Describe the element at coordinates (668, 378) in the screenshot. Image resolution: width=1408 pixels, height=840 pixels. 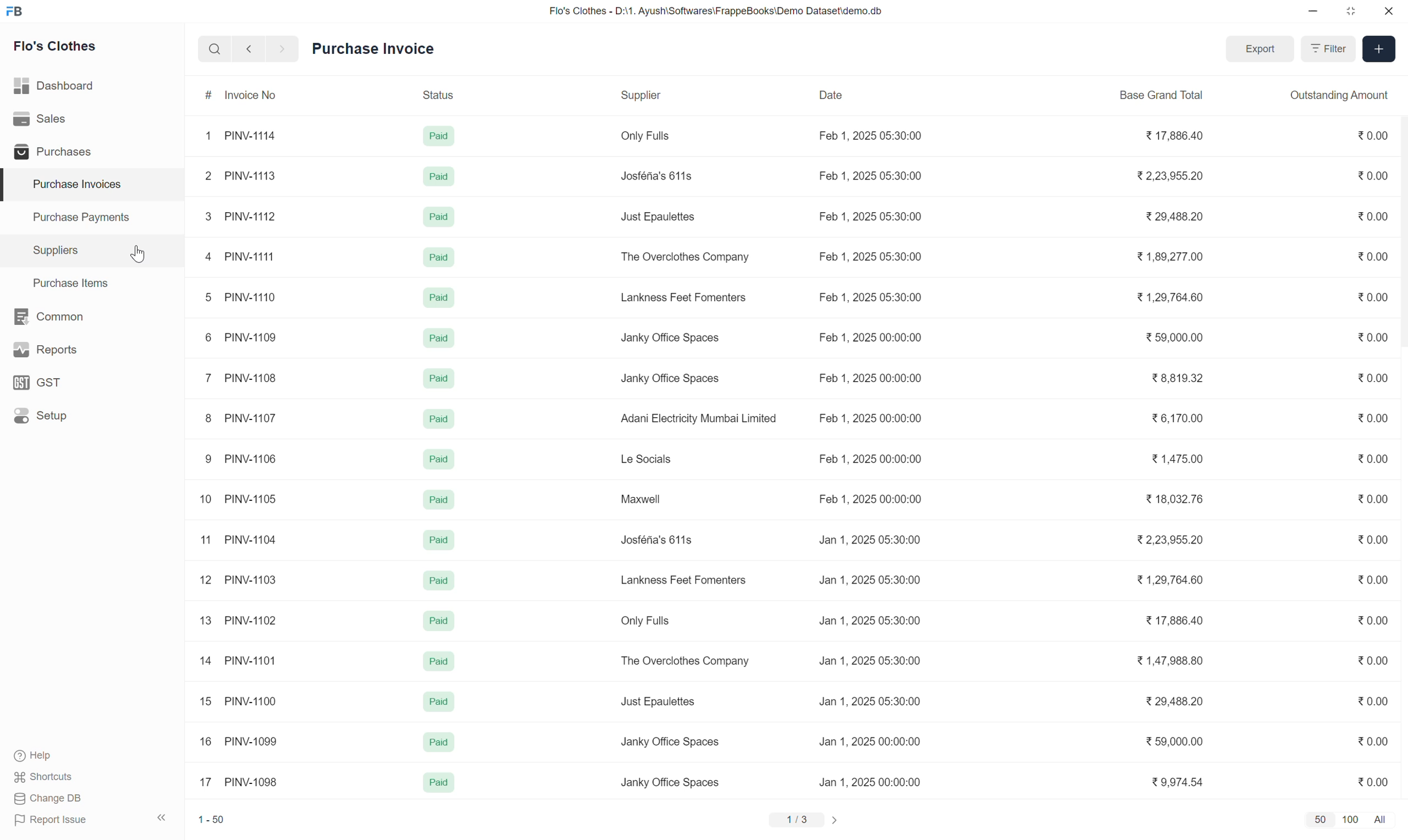
I see `Janky Office Spaces` at that location.